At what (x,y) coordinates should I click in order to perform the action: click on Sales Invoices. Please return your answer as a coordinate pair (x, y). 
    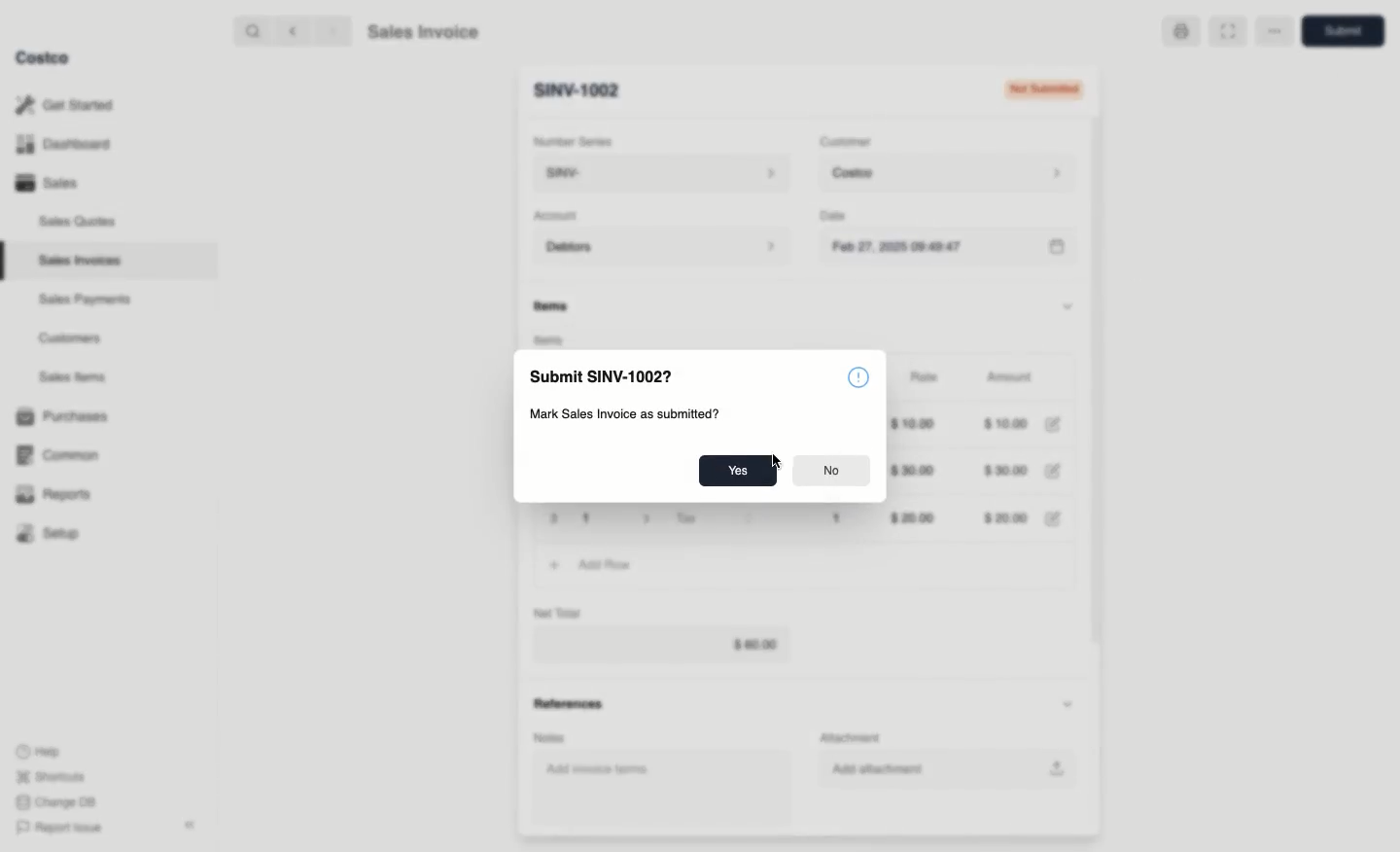
    Looking at the image, I should click on (83, 260).